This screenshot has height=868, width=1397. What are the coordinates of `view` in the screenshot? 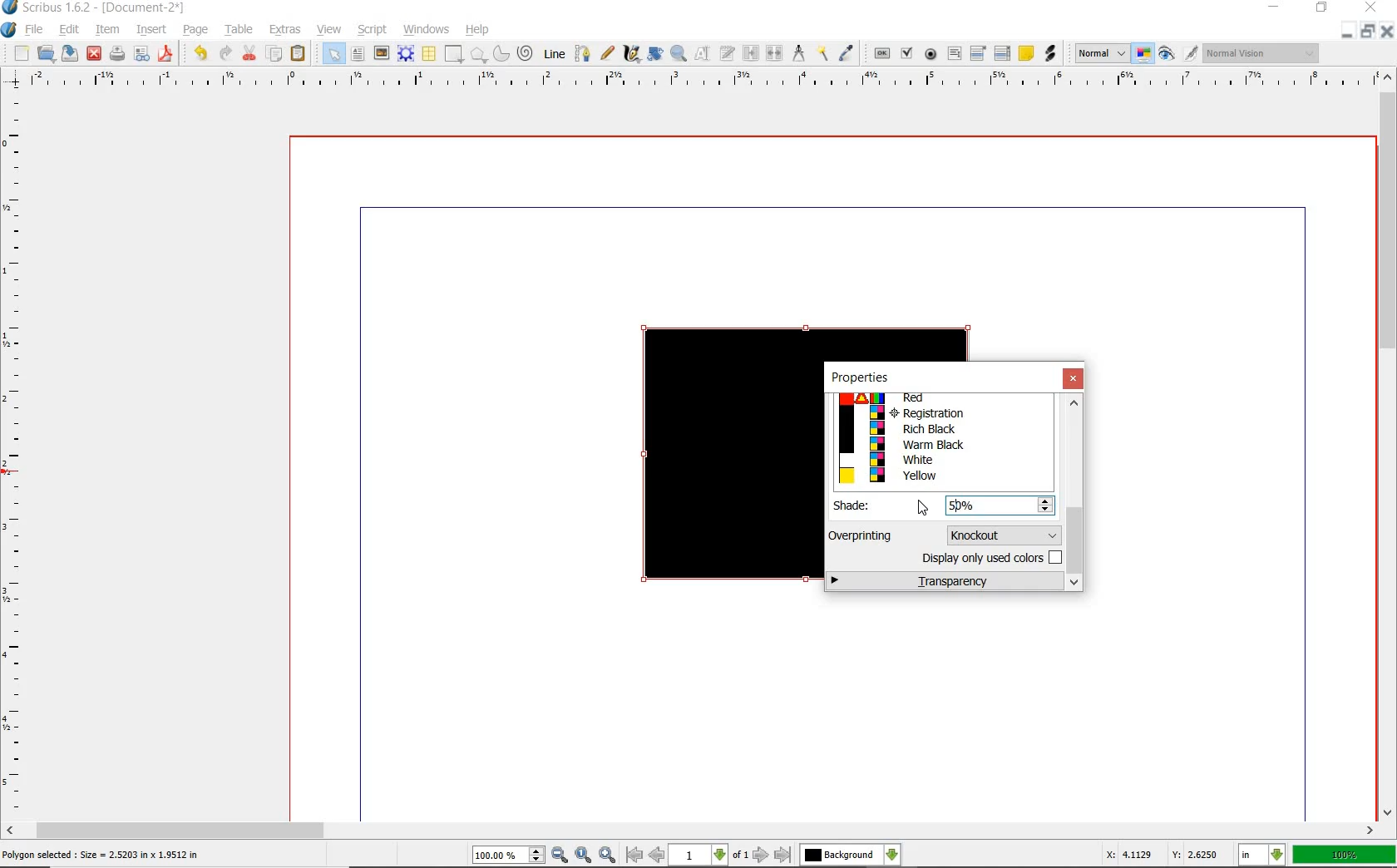 It's located at (329, 29).